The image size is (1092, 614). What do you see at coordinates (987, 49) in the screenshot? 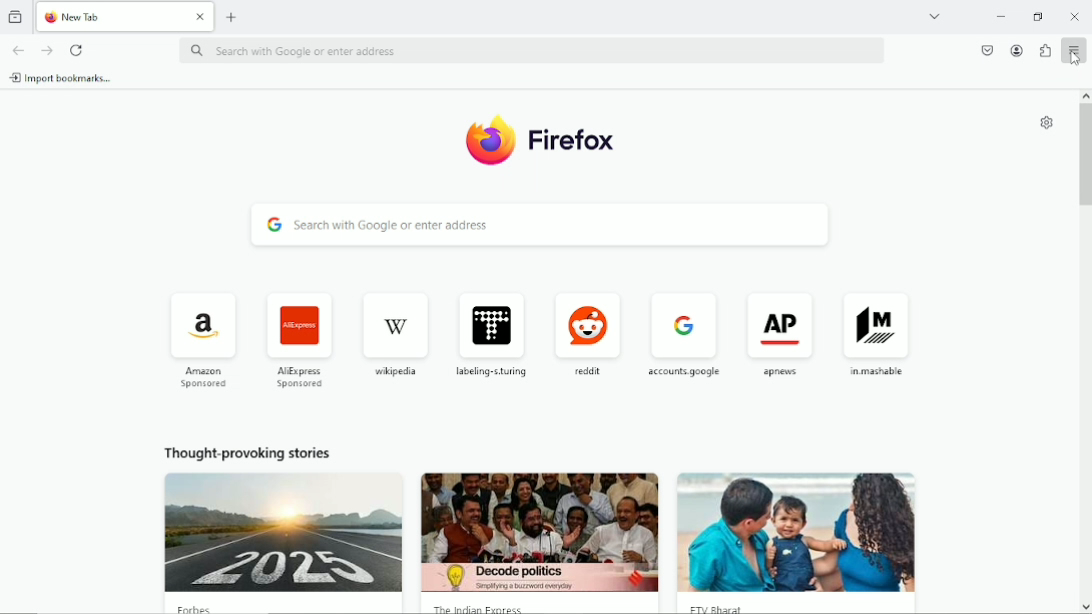
I see `save to pocket` at bounding box center [987, 49].